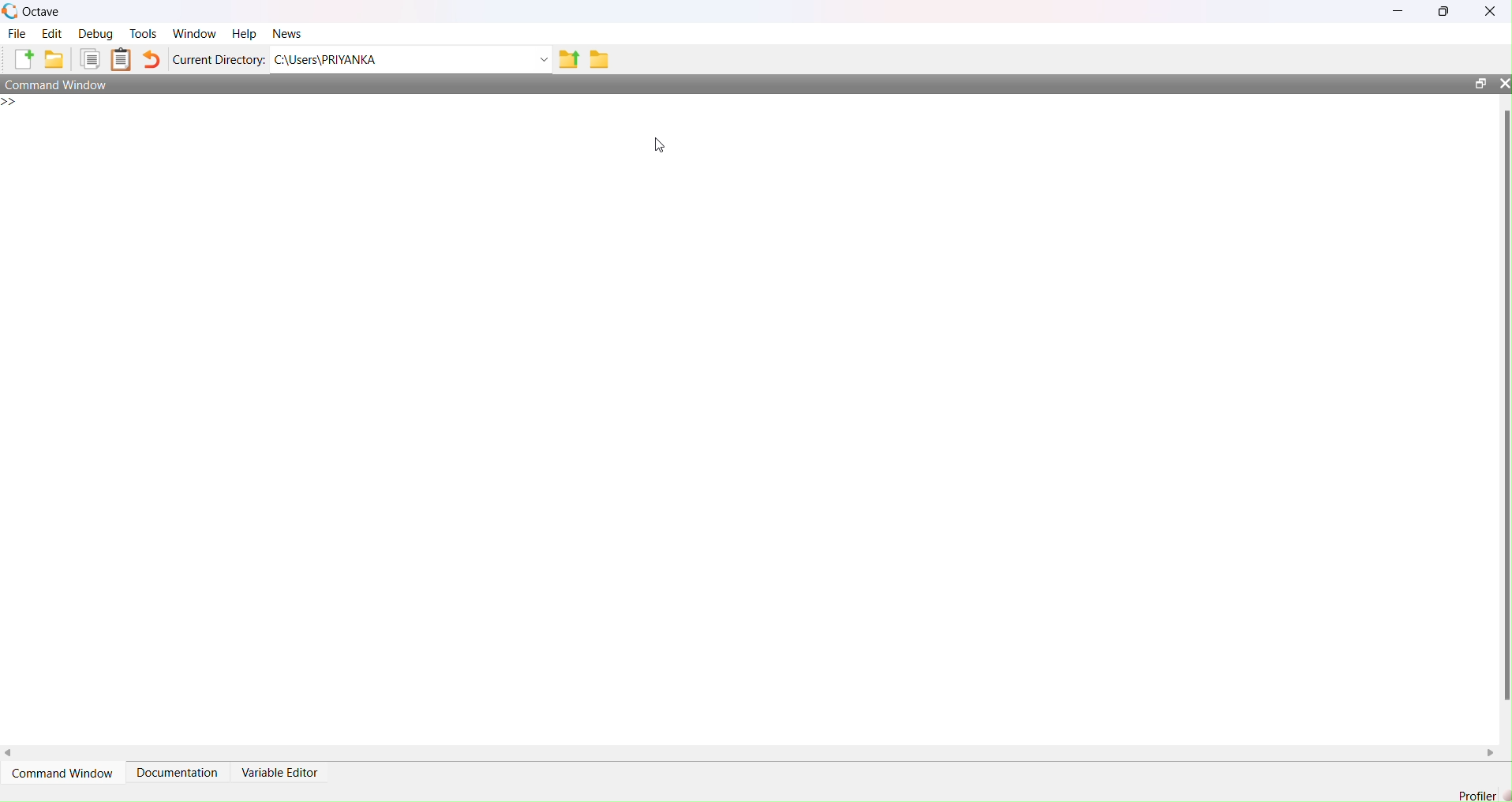  Describe the element at coordinates (601, 61) in the screenshot. I see `save` at that location.